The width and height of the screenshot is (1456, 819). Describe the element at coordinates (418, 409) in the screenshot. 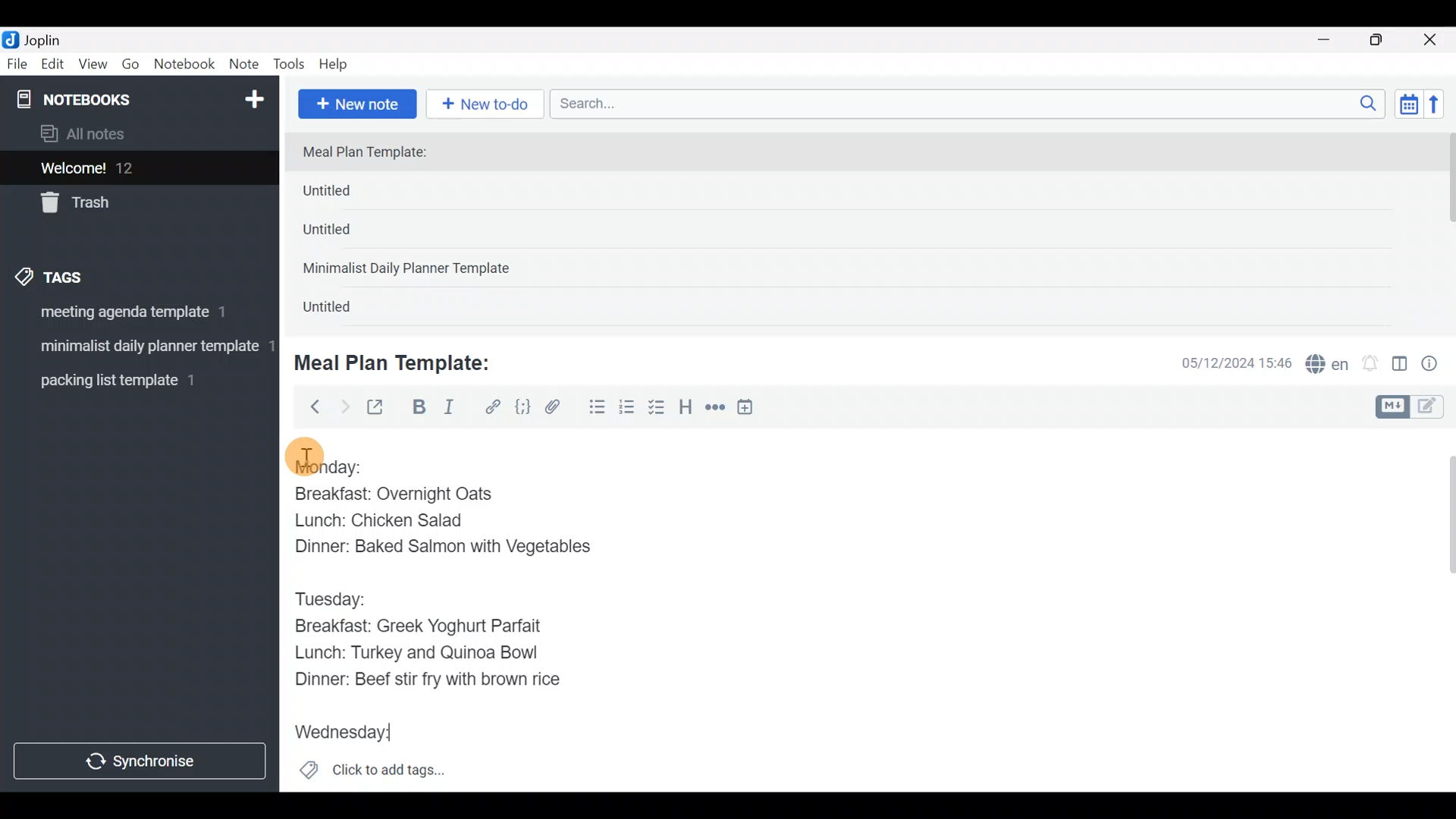

I see `Bold` at that location.